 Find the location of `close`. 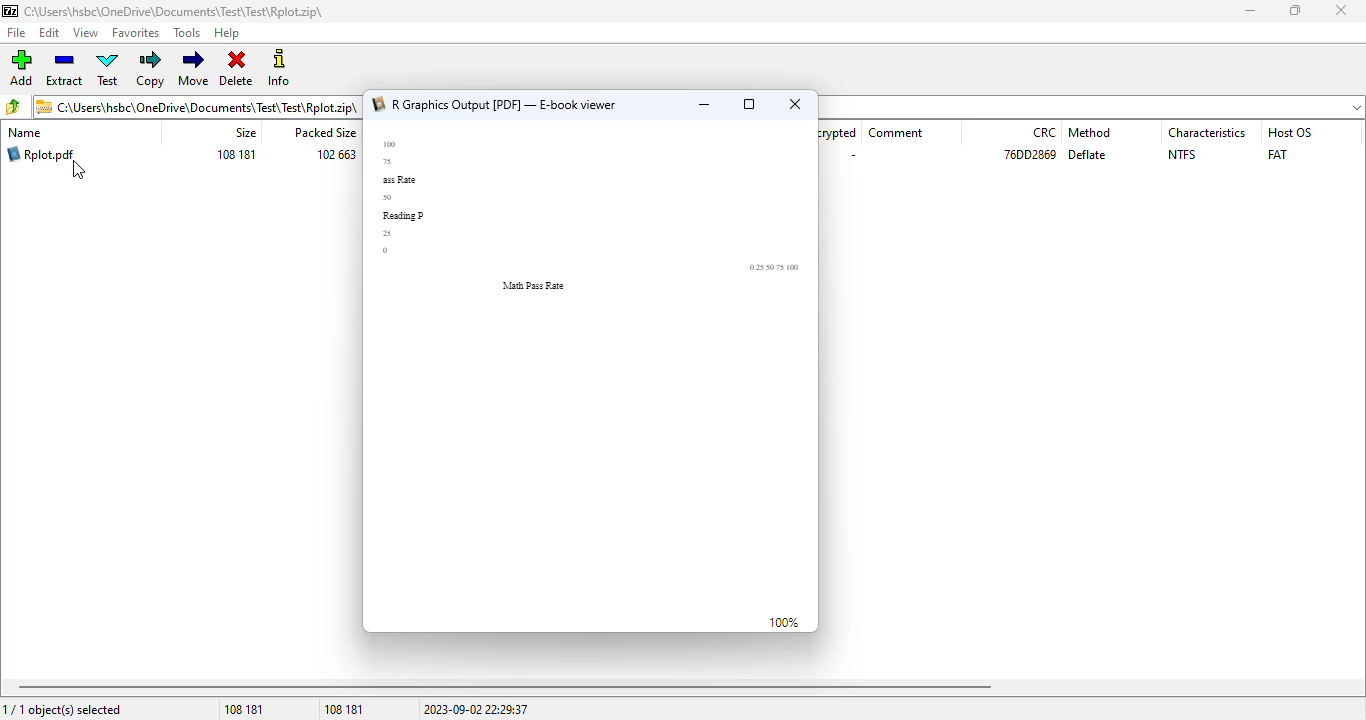

close is located at coordinates (1340, 10).